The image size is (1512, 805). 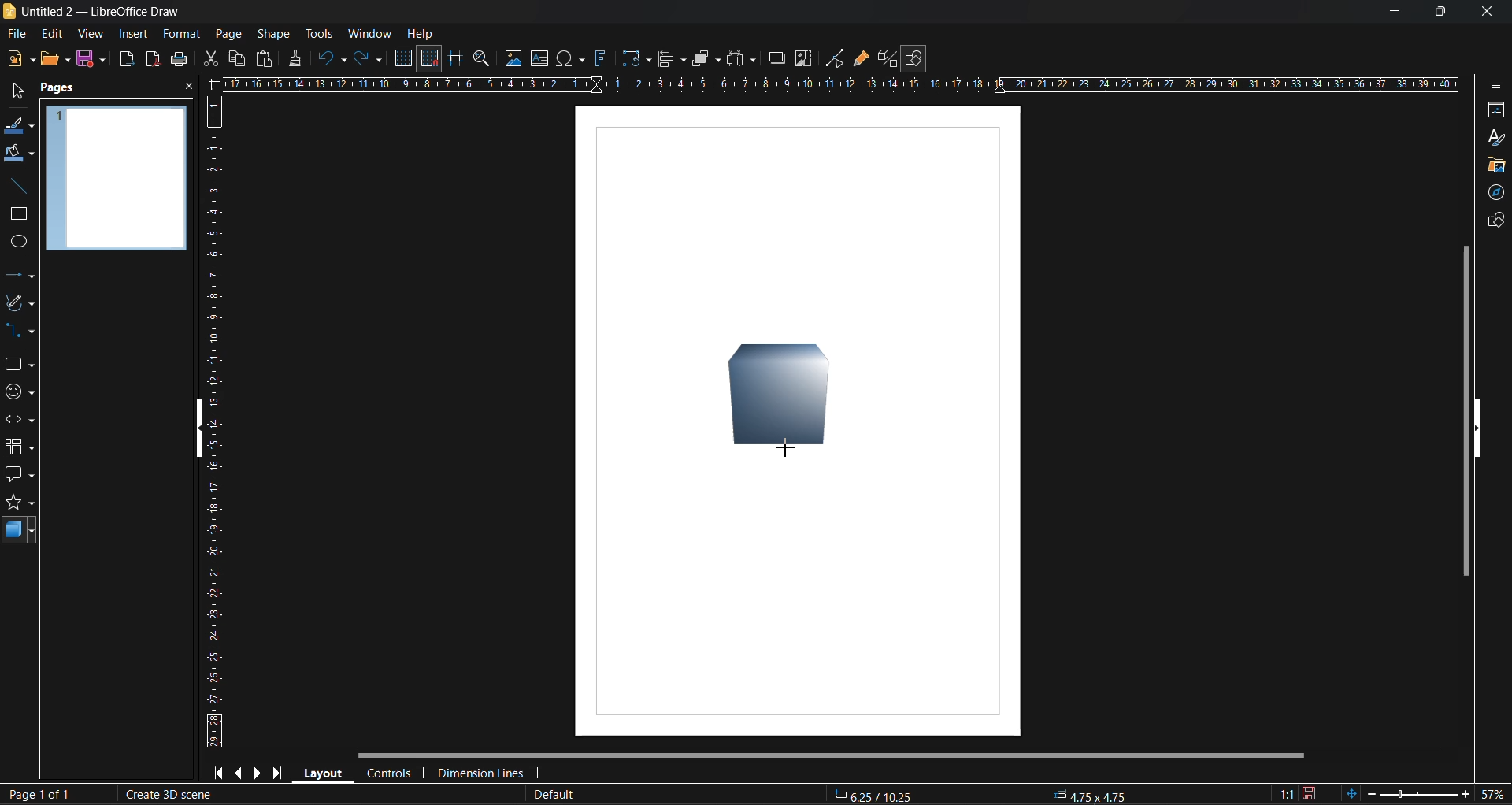 What do you see at coordinates (1354, 793) in the screenshot?
I see `fit to window` at bounding box center [1354, 793].